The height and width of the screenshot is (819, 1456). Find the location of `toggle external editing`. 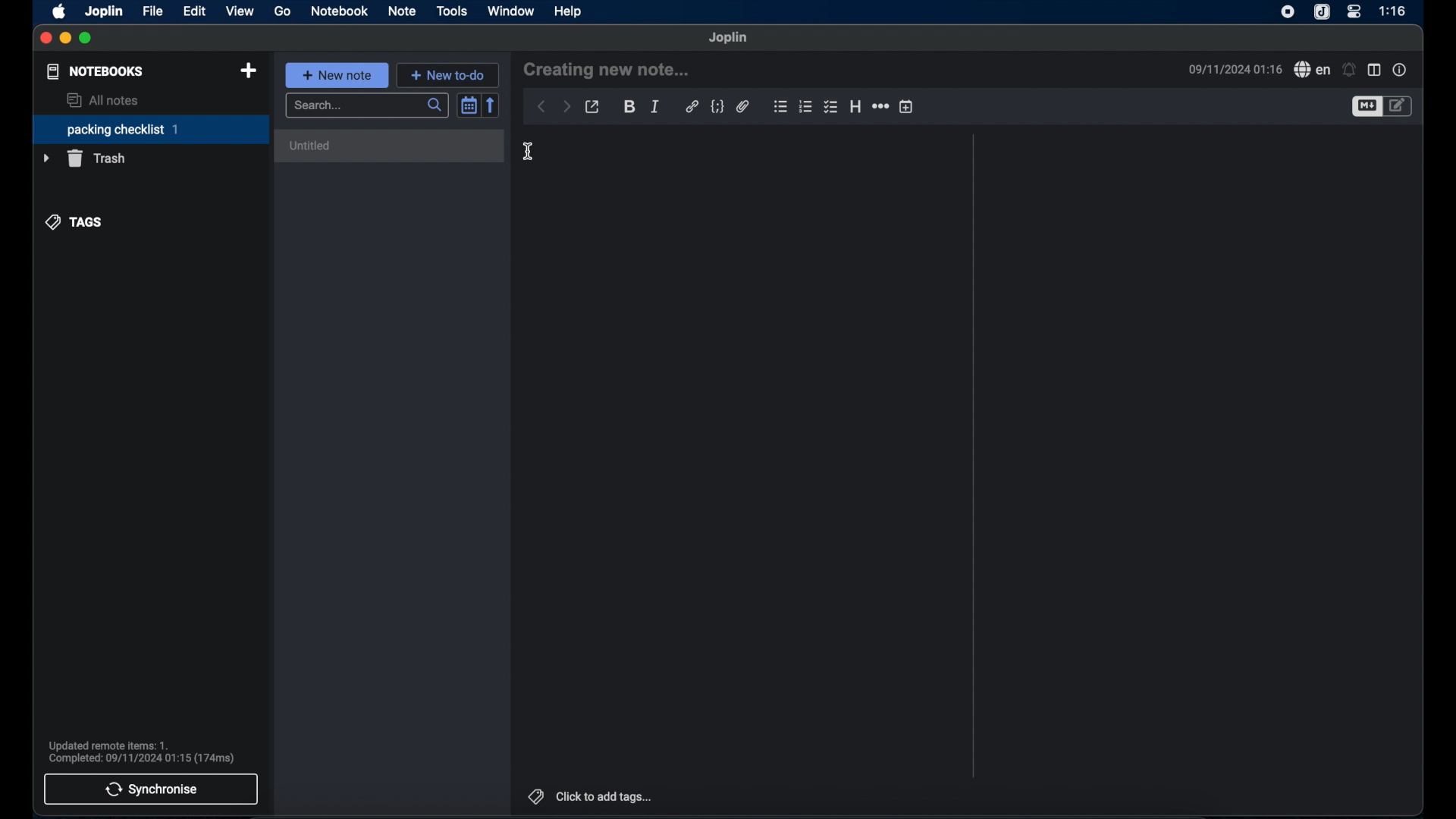

toggle external editing is located at coordinates (593, 107).